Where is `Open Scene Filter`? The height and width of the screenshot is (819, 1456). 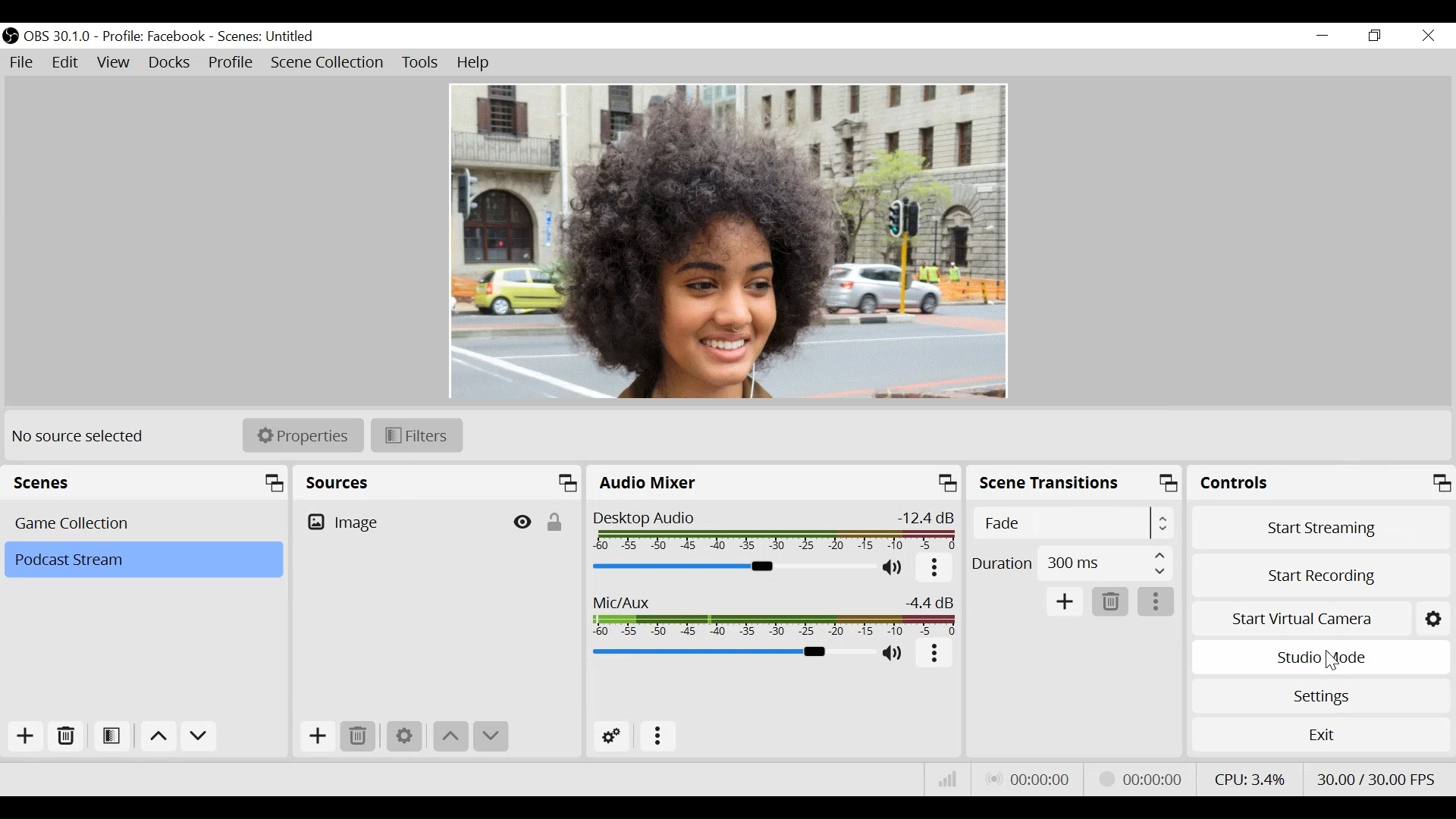
Open Scene Filter is located at coordinates (111, 736).